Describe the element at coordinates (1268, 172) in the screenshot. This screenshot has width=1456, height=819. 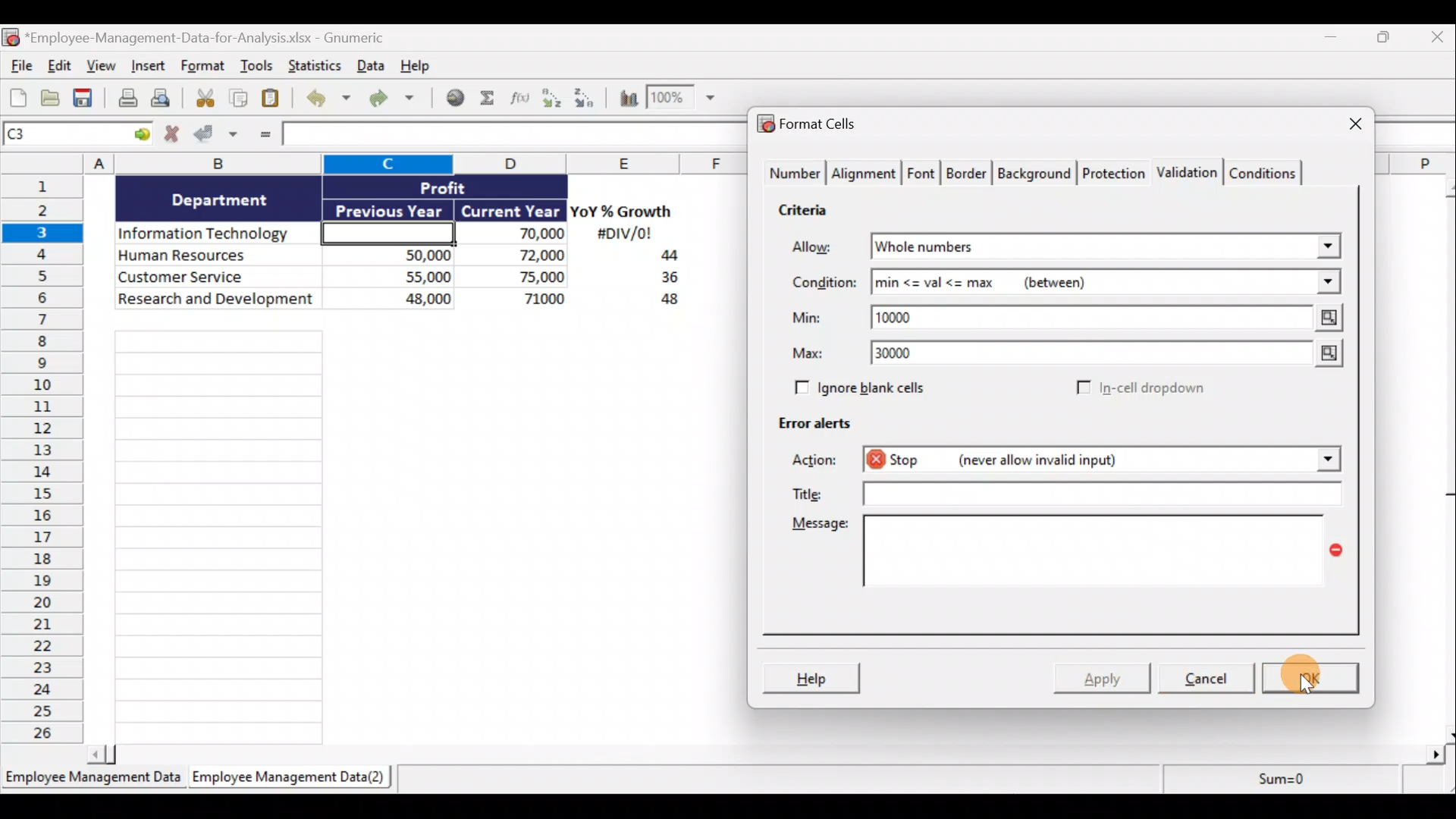
I see `Conditions` at that location.